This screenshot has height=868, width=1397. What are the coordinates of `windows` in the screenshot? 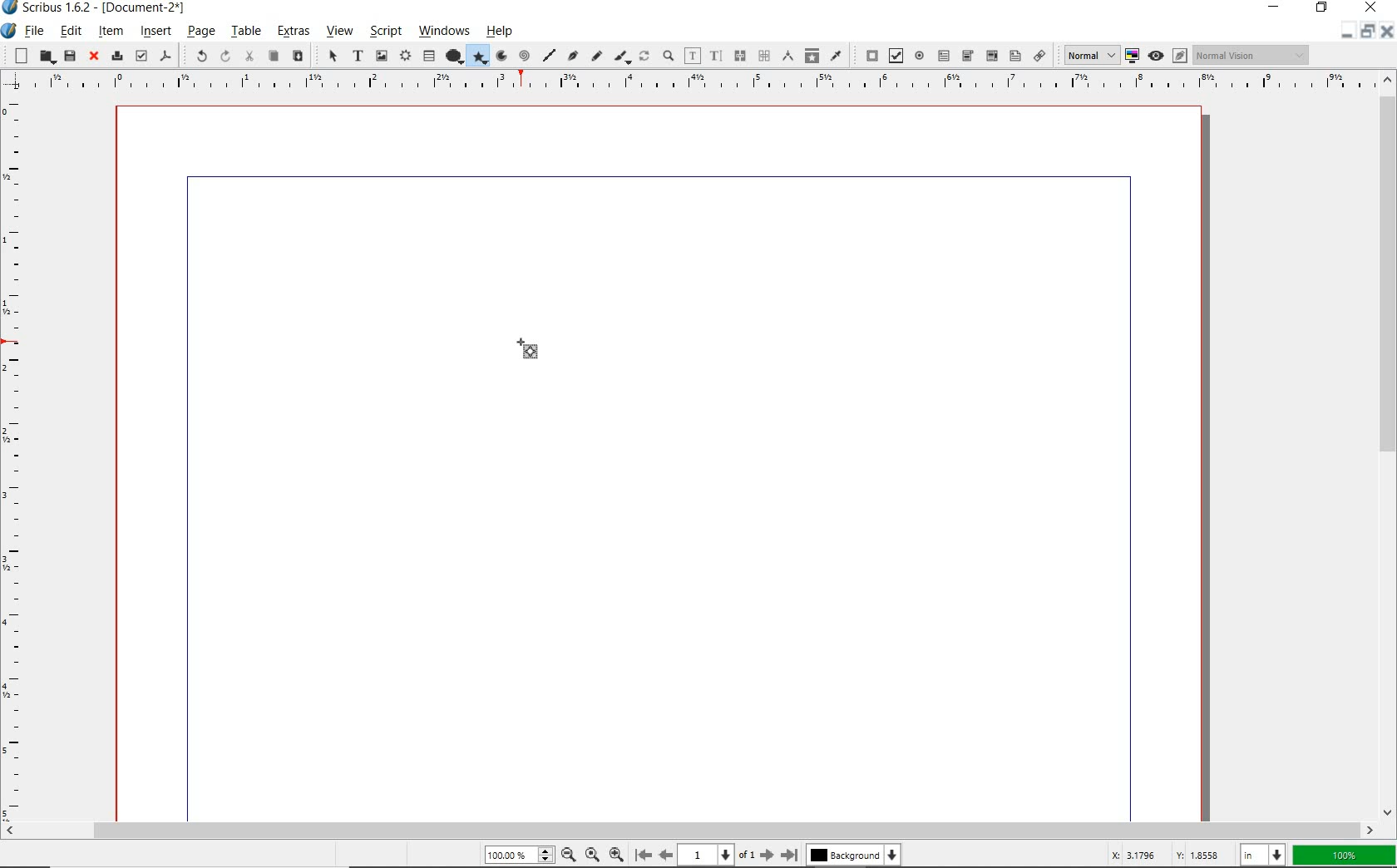 It's located at (445, 32).